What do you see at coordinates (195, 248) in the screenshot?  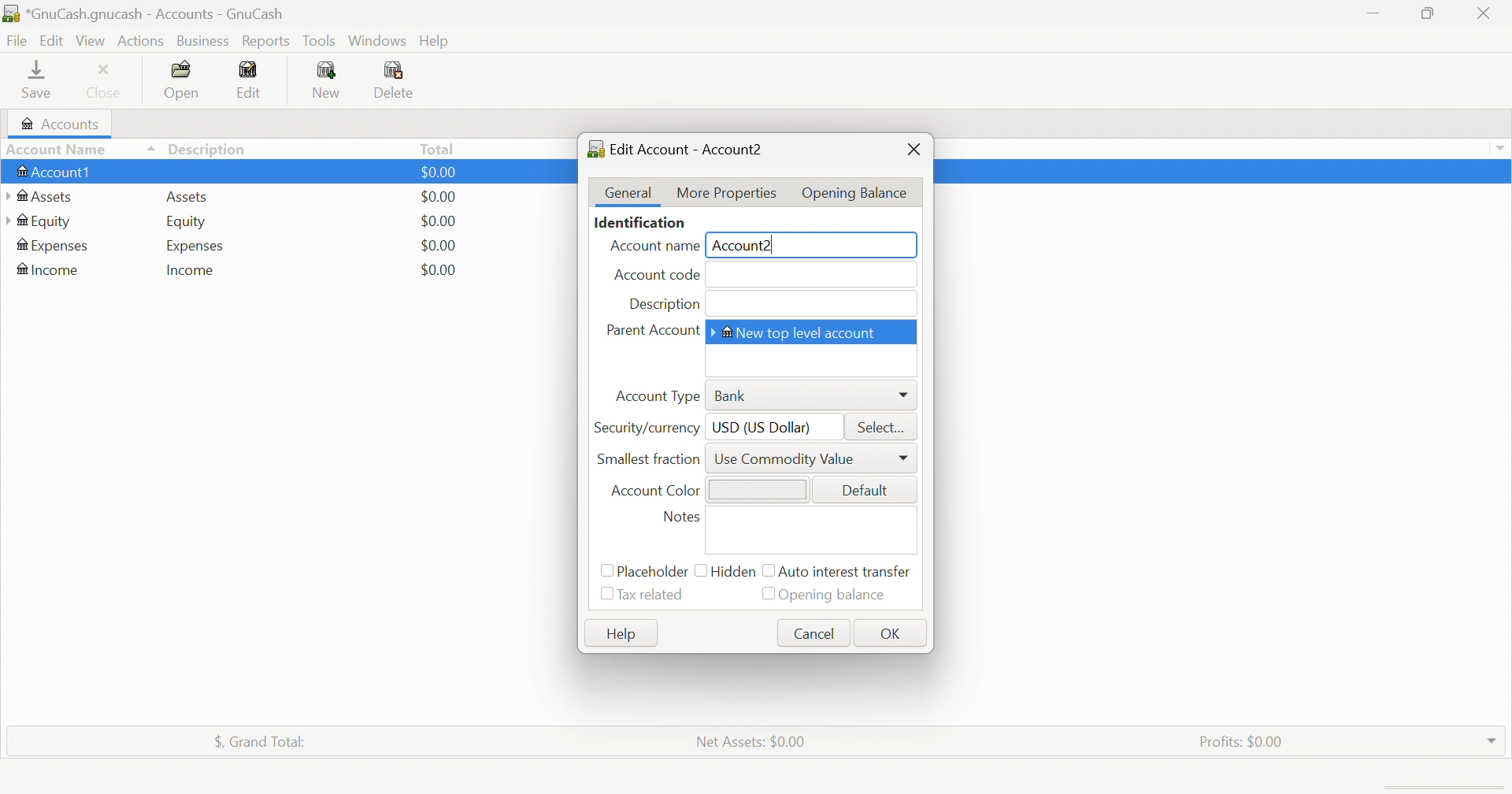 I see `Expenses` at bounding box center [195, 248].